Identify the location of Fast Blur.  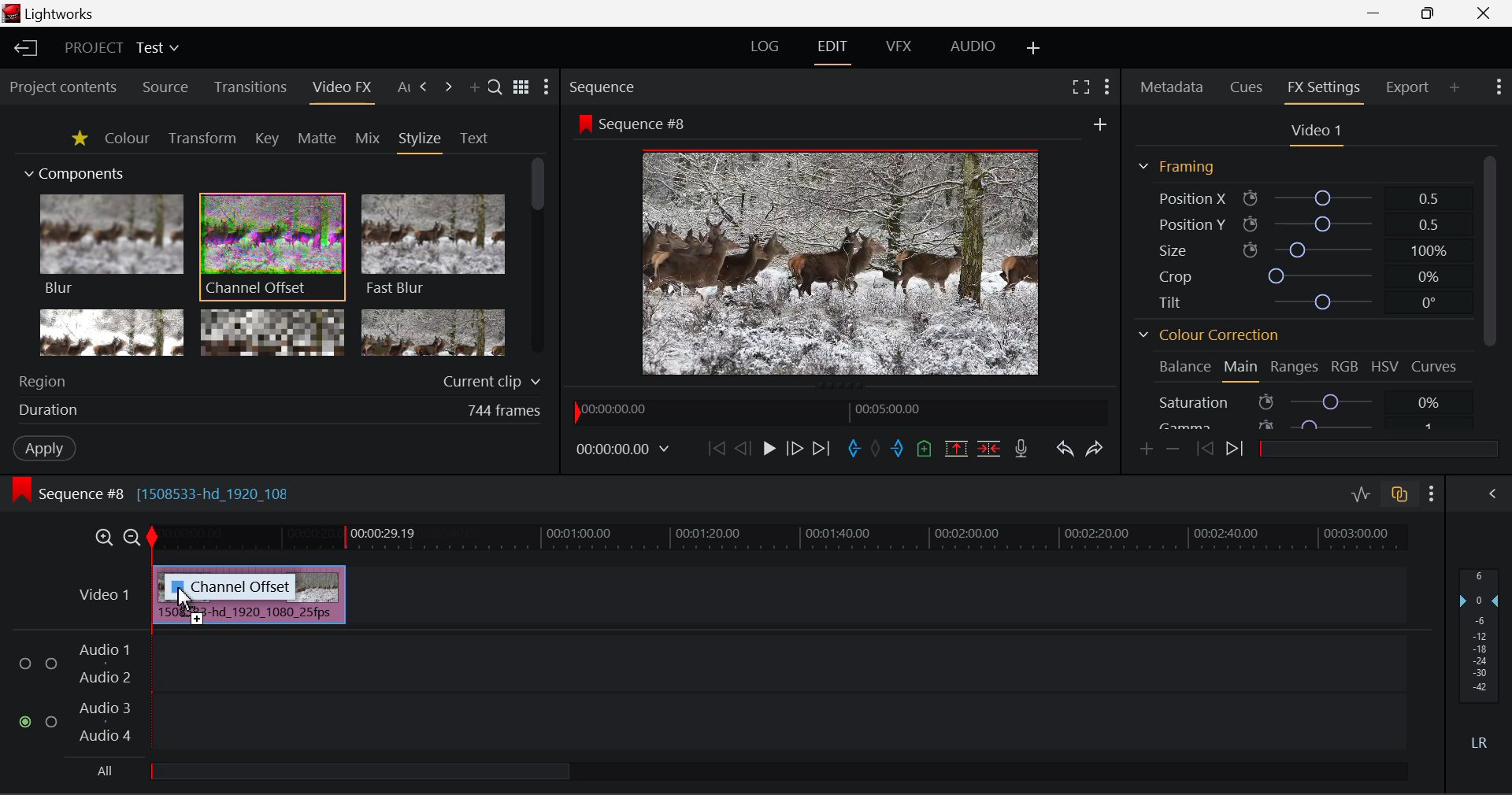
(434, 246).